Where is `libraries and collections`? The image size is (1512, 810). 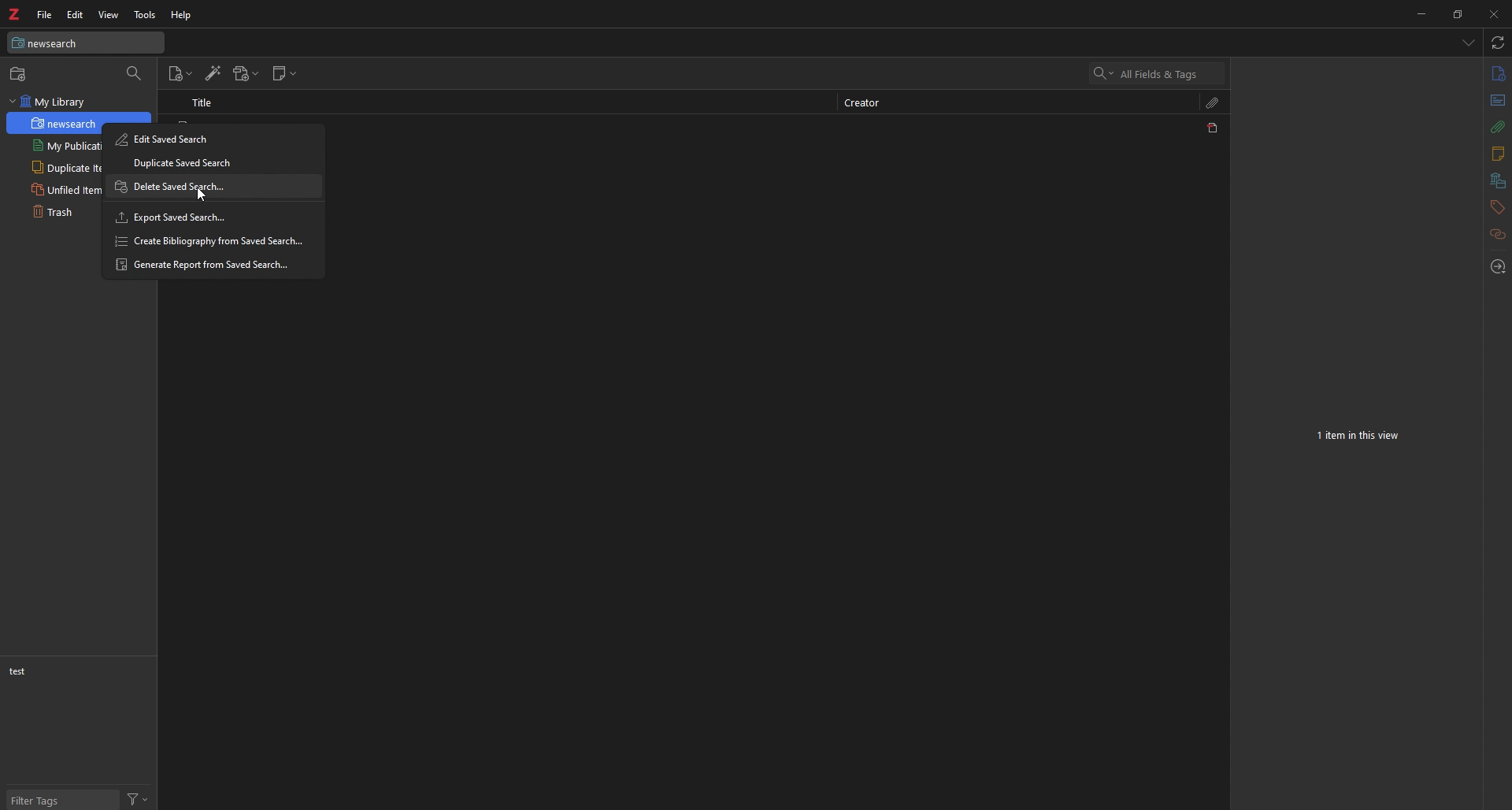
libraries and collections is located at coordinates (1499, 180).